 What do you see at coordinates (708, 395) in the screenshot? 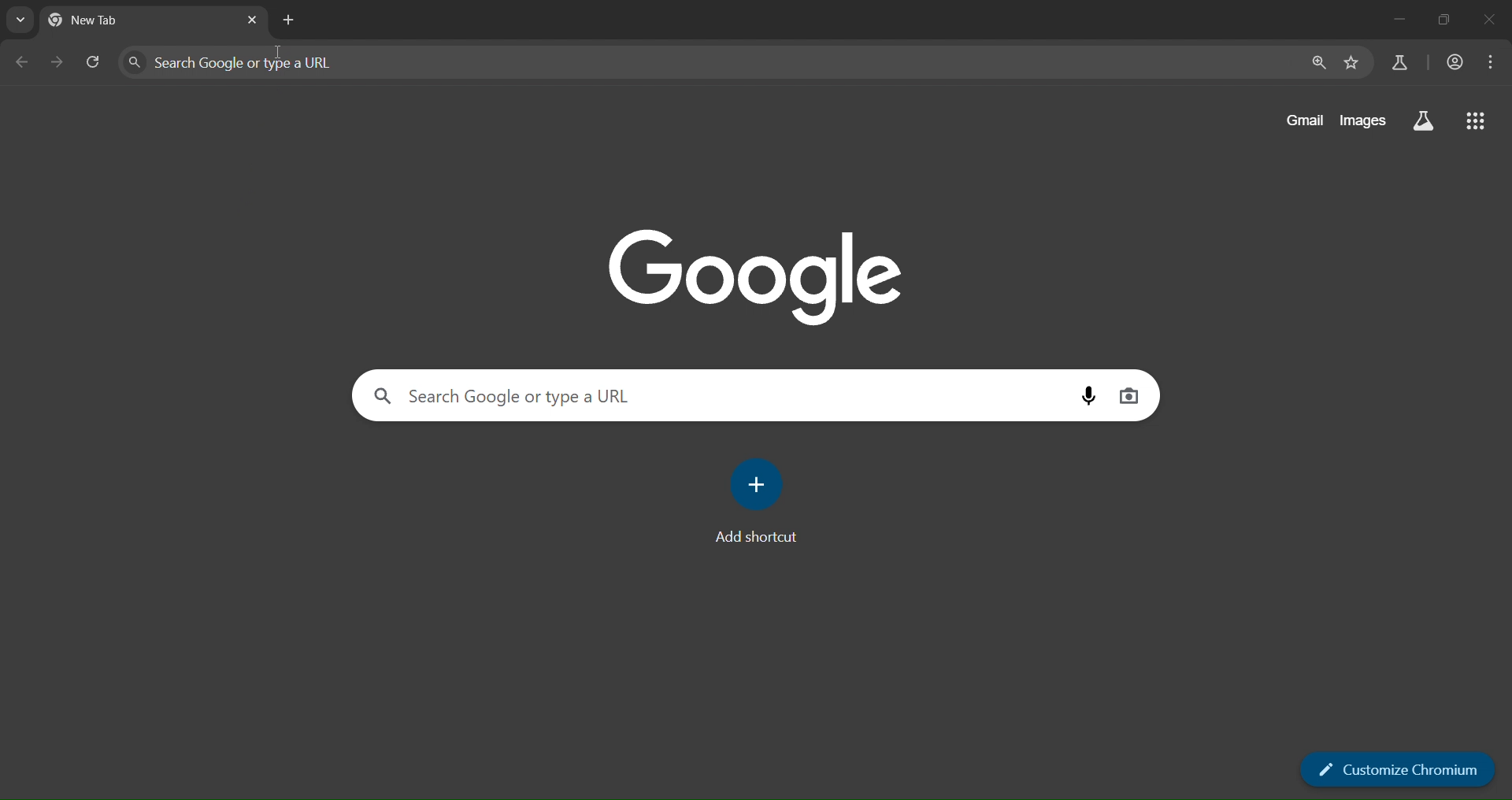
I see `search google or type a URL` at bounding box center [708, 395].